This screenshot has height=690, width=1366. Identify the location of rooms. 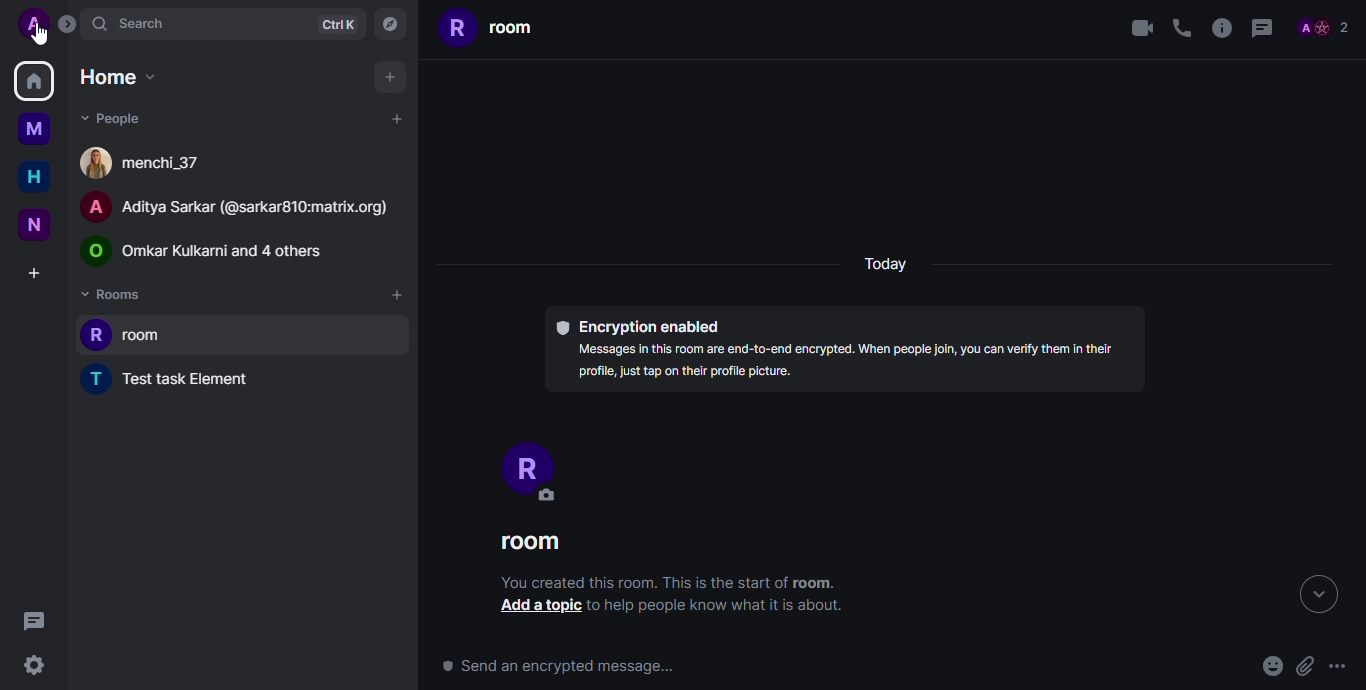
(115, 293).